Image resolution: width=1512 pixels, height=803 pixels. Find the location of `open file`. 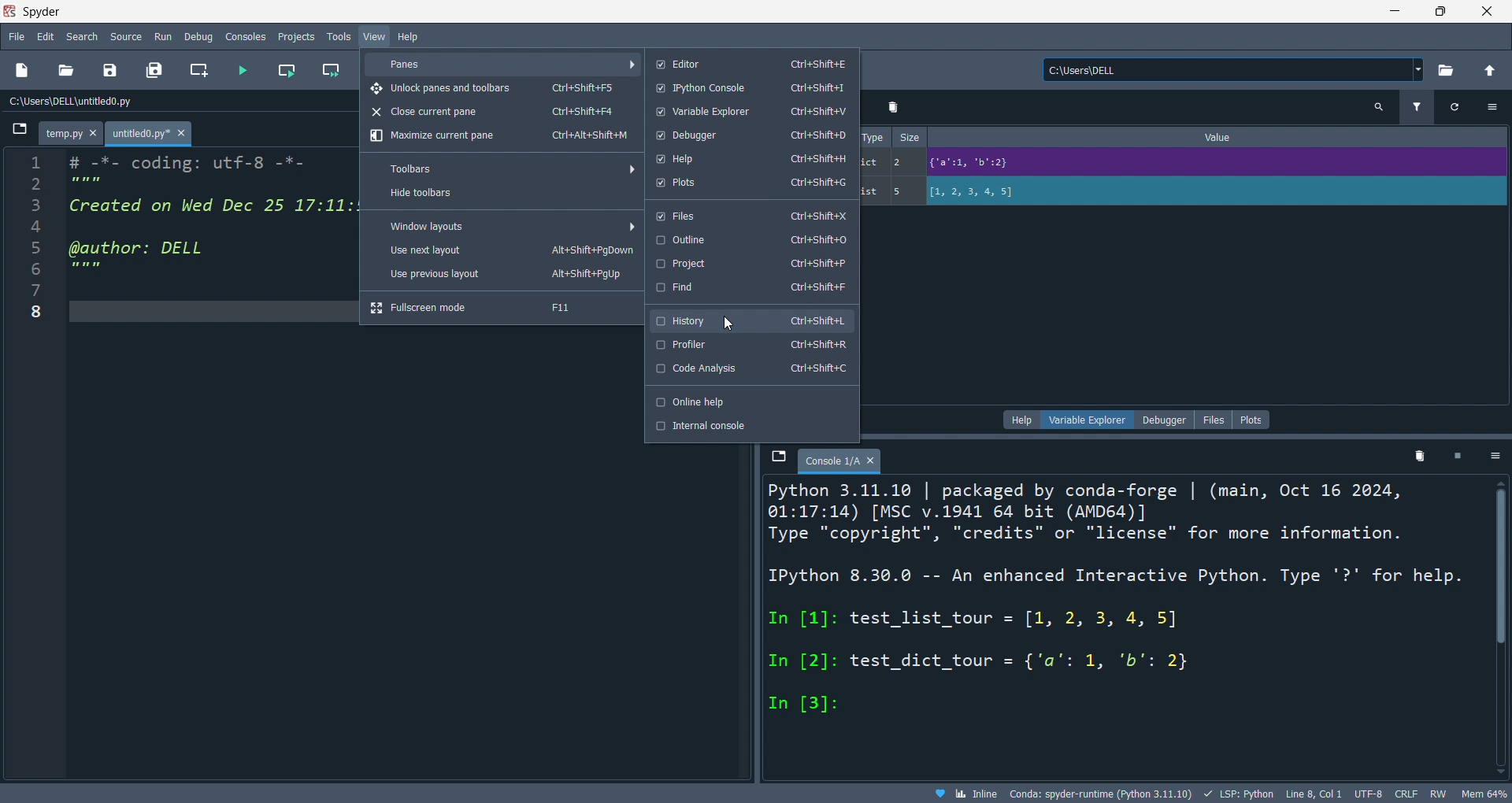

open file is located at coordinates (65, 71).